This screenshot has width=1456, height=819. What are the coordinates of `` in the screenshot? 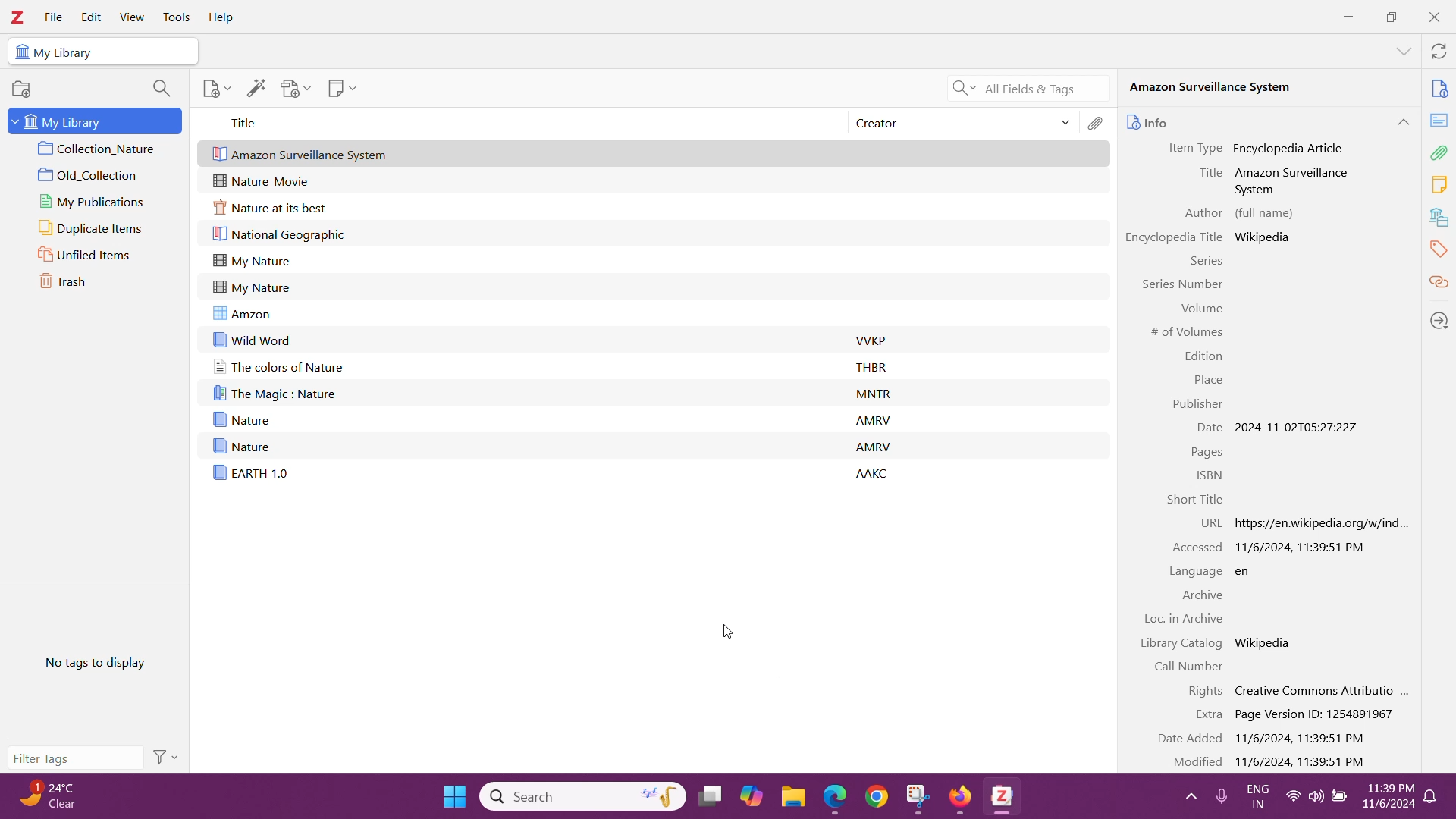 It's located at (1178, 619).